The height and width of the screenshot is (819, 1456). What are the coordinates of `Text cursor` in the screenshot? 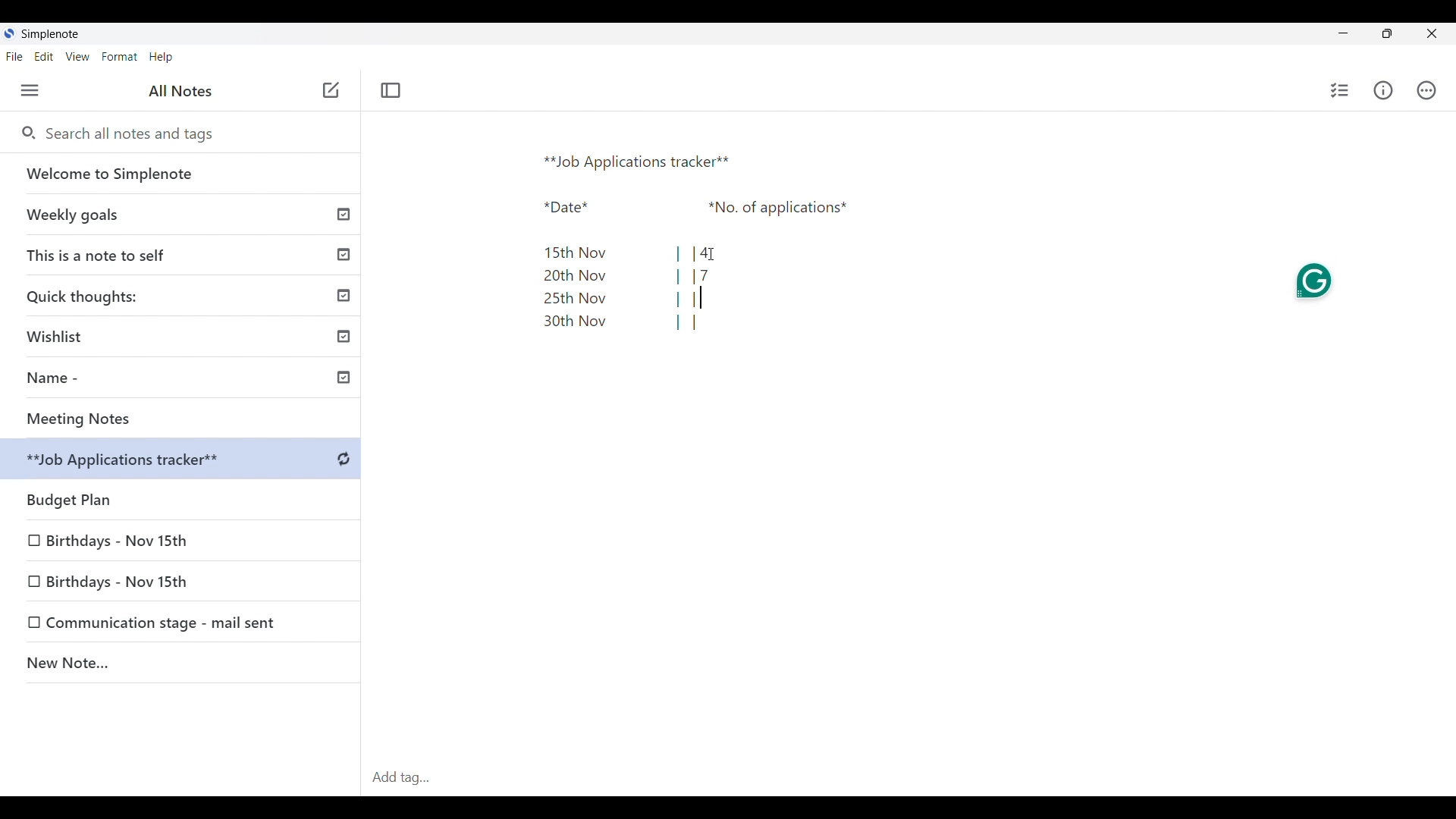 It's located at (701, 297).